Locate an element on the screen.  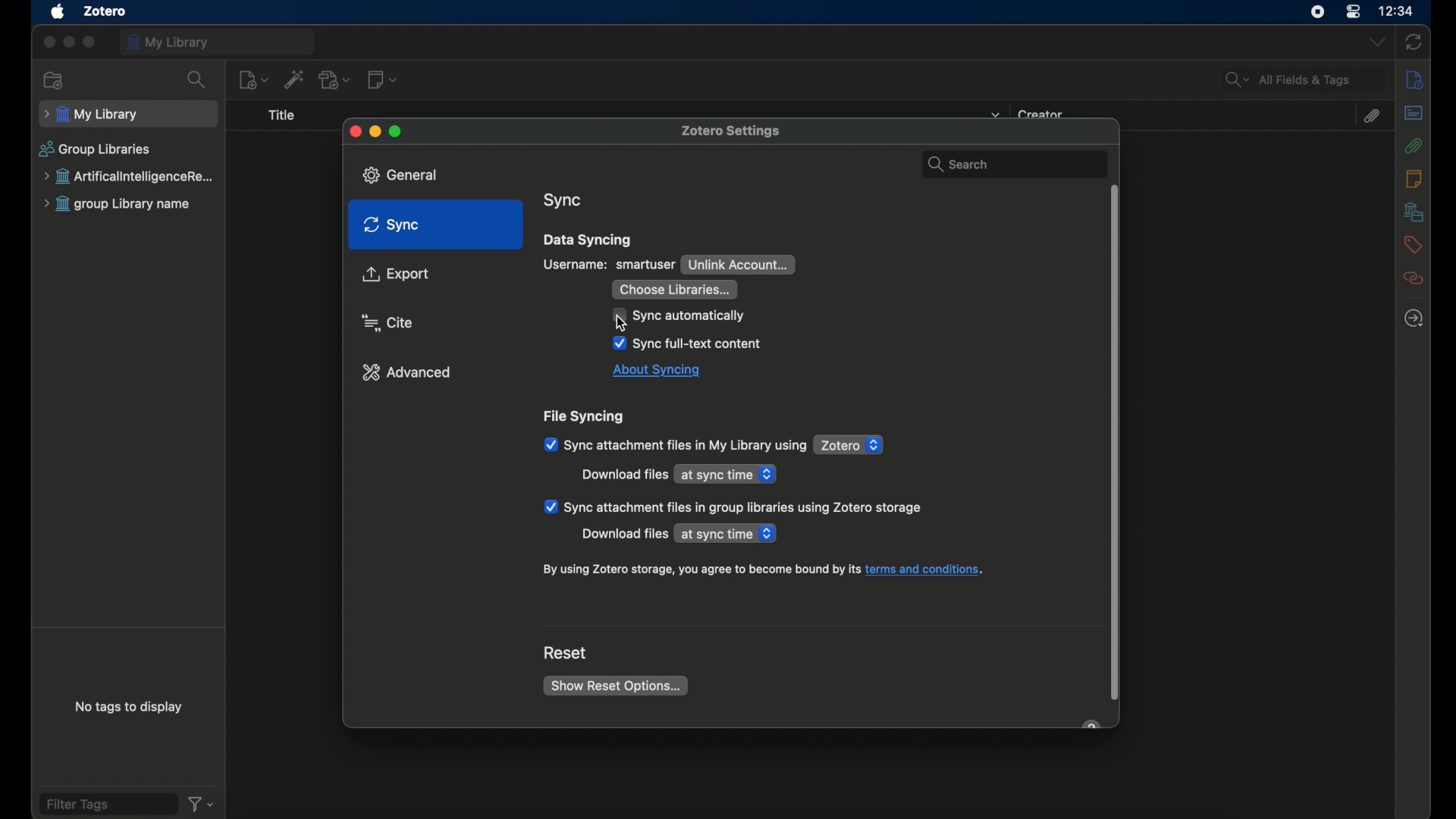
sync is located at coordinates (391, 225).